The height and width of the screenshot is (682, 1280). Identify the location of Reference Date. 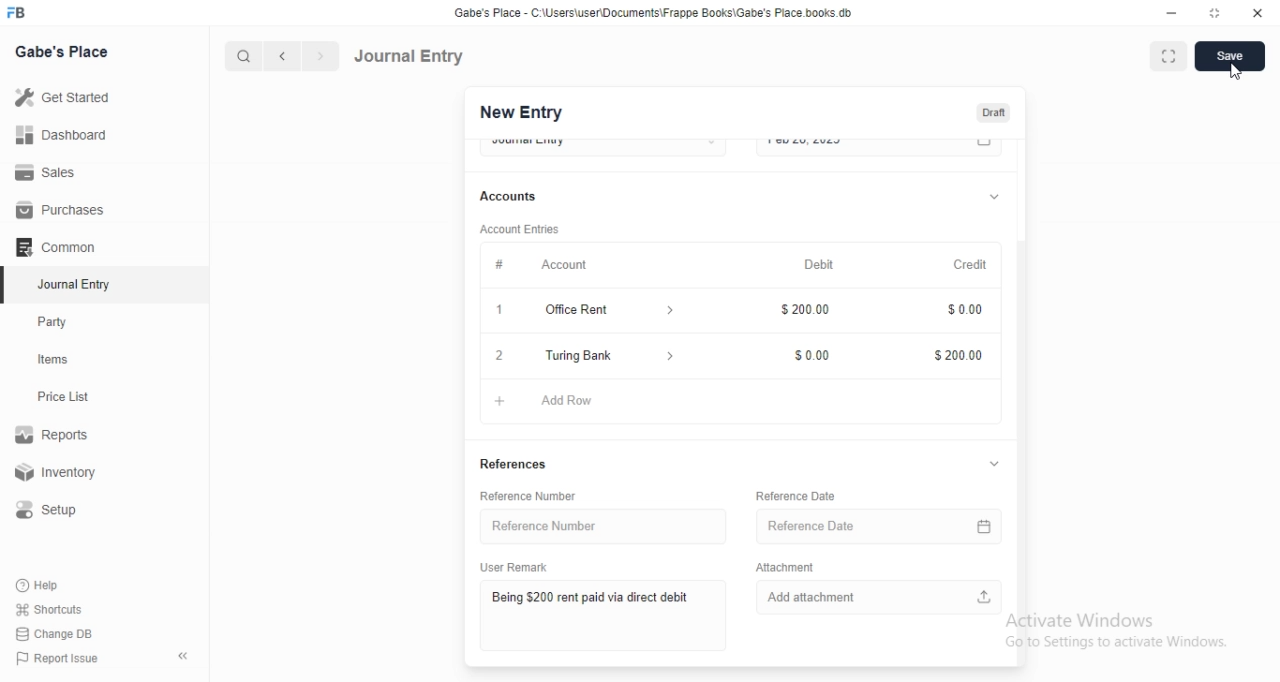
(801, 492).